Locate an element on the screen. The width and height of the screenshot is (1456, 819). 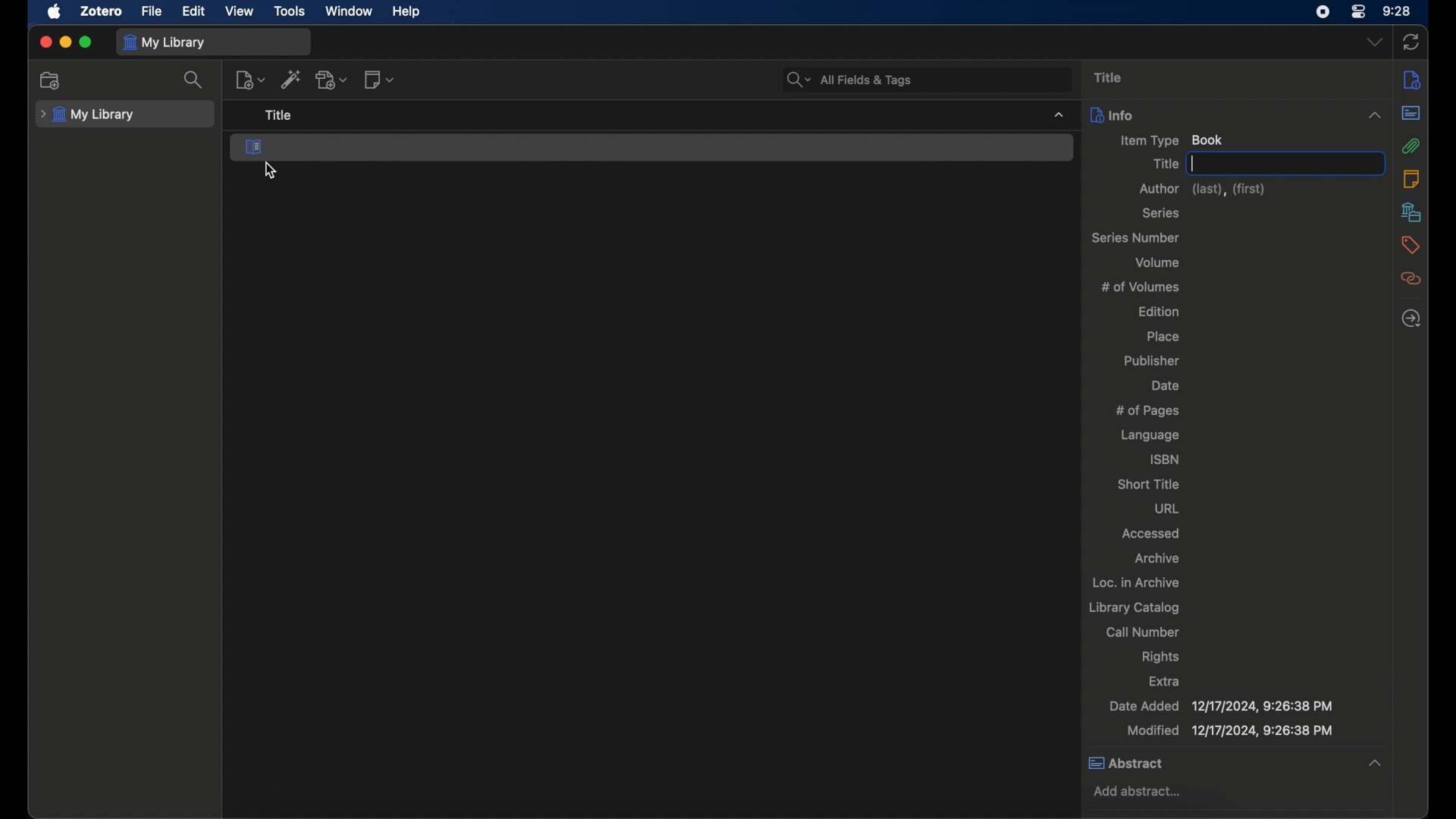
add item by identifier is located at coordinates (290, 79).